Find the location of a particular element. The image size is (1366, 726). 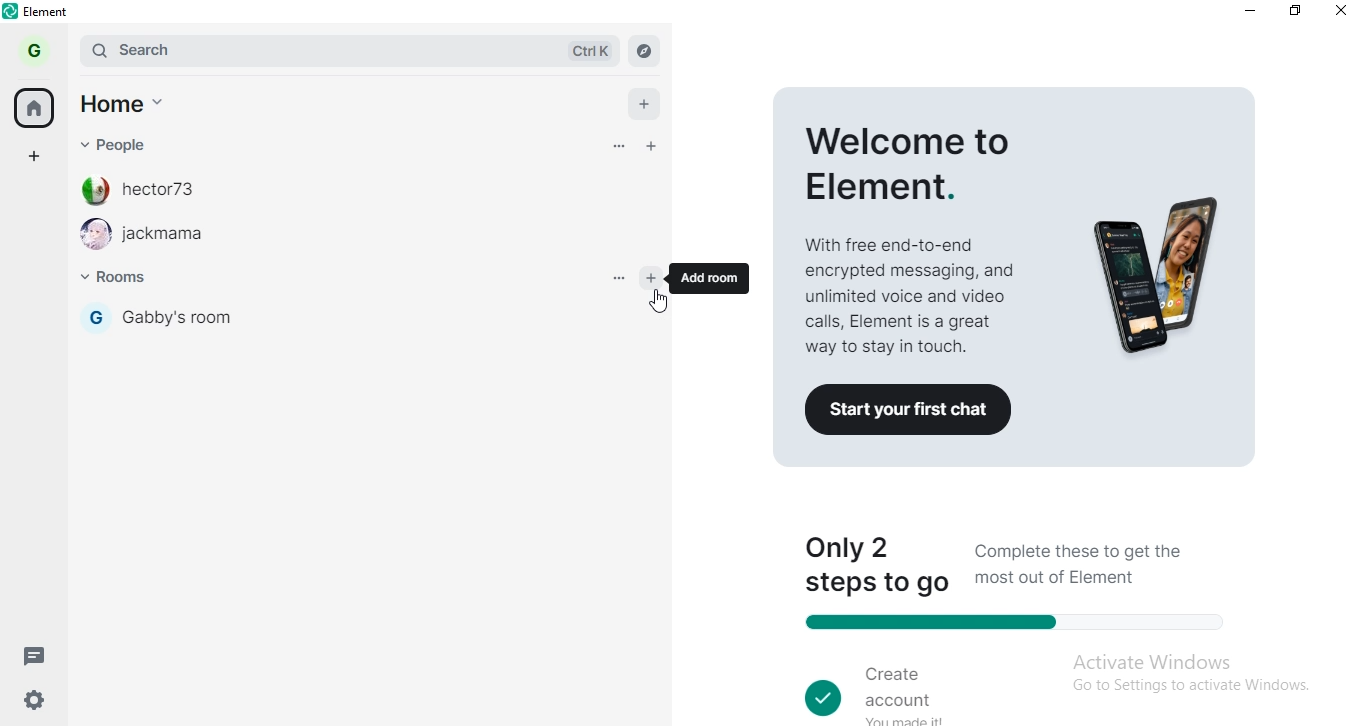

profile image is located at coordinates (93, 190).